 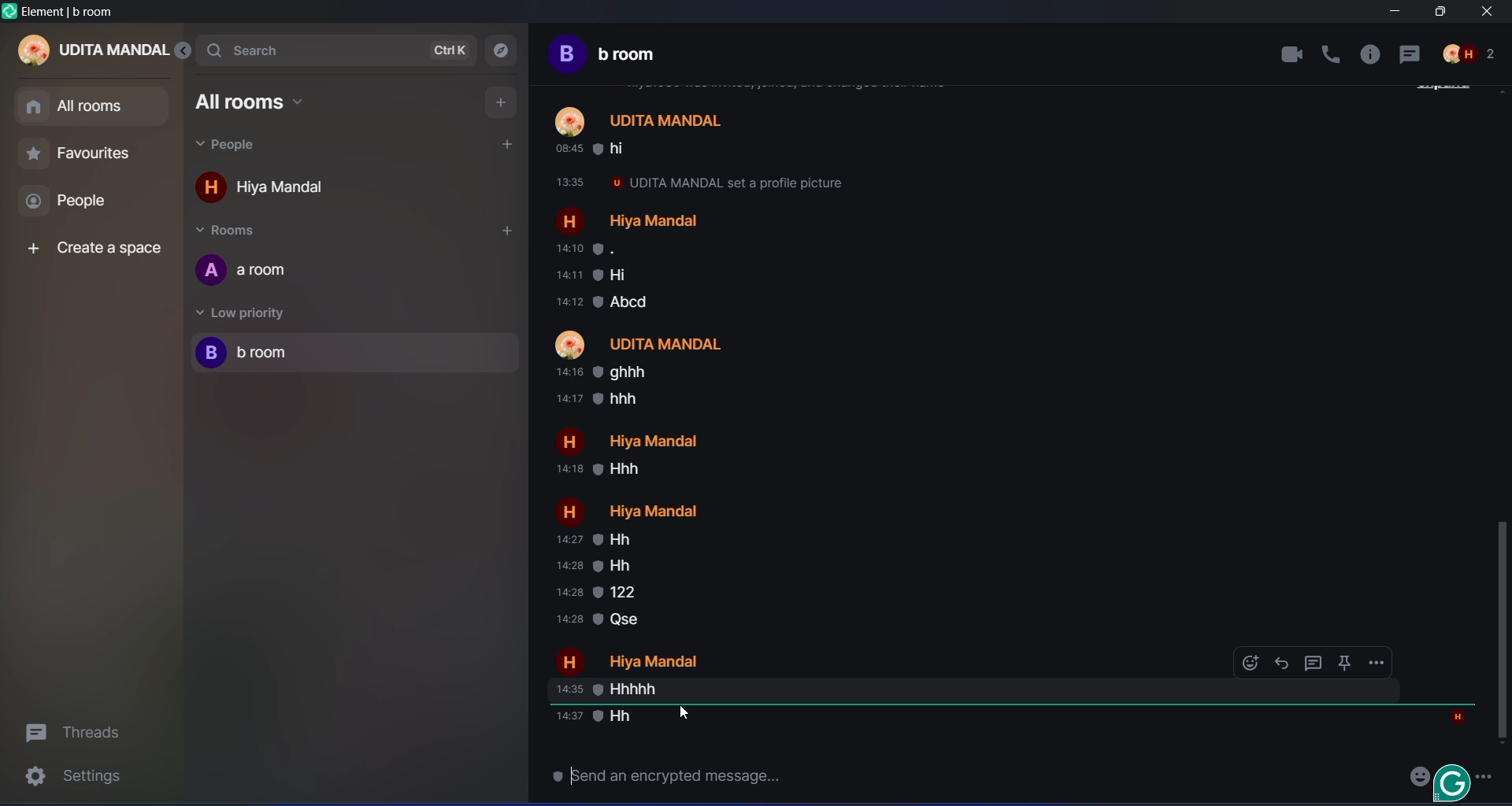 I want to click on hiya mandal, so click(x=276, y=187).